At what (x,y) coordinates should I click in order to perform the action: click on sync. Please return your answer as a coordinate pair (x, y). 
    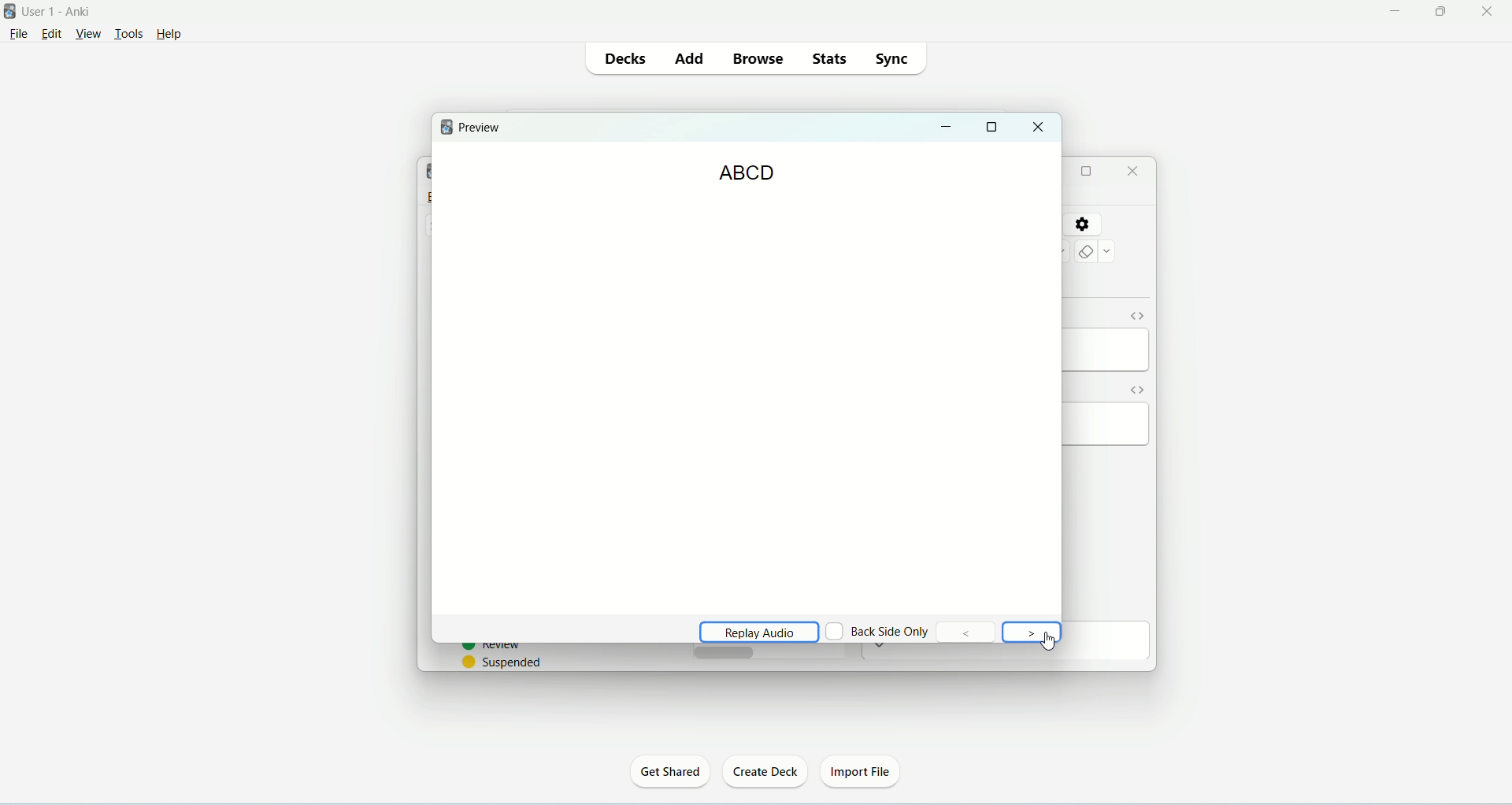
    Looking at the image, I should click on (895, 59).